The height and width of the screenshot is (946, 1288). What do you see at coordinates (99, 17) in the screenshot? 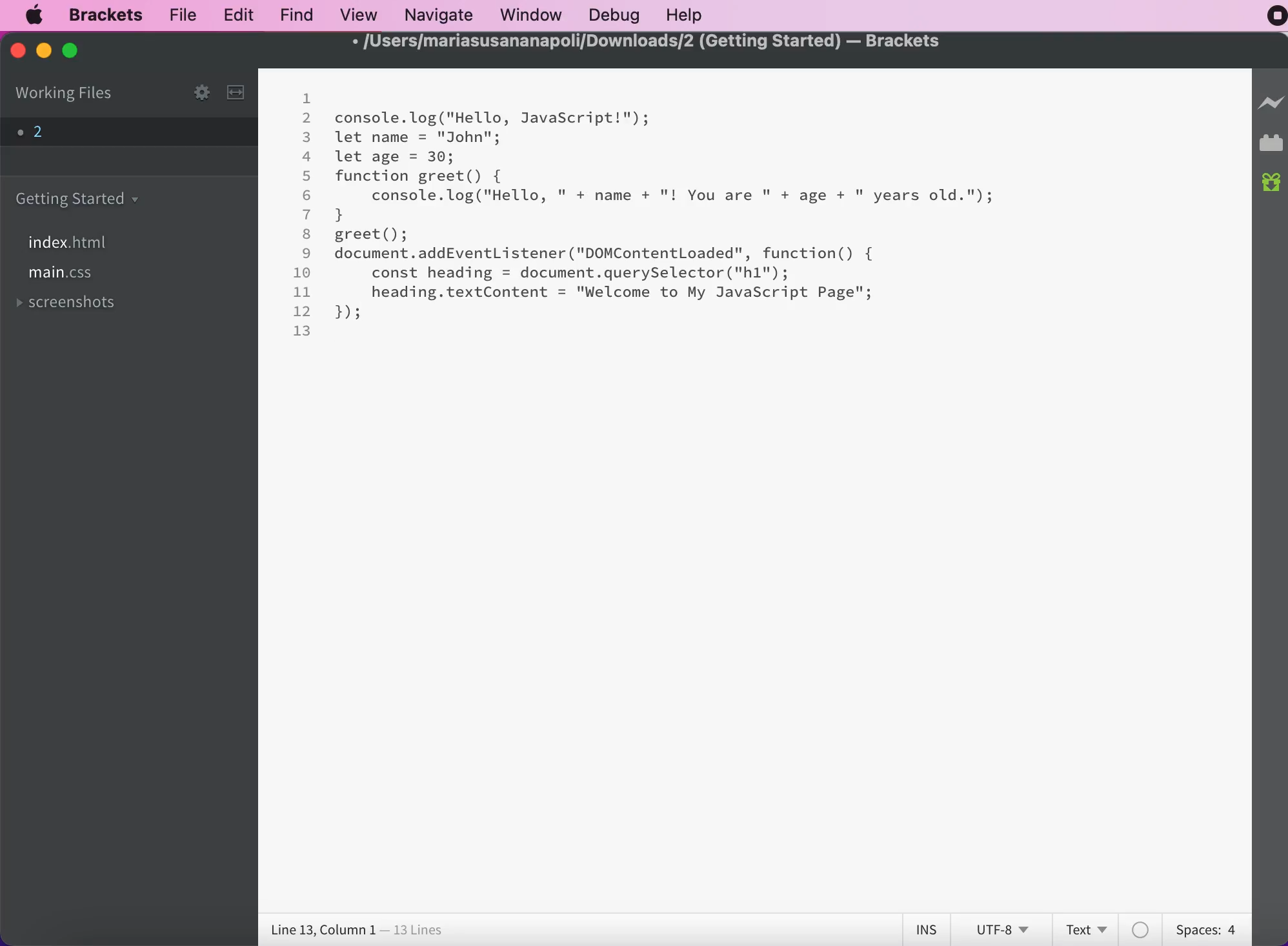
I see `brackets` at bounding box center [99, 17].